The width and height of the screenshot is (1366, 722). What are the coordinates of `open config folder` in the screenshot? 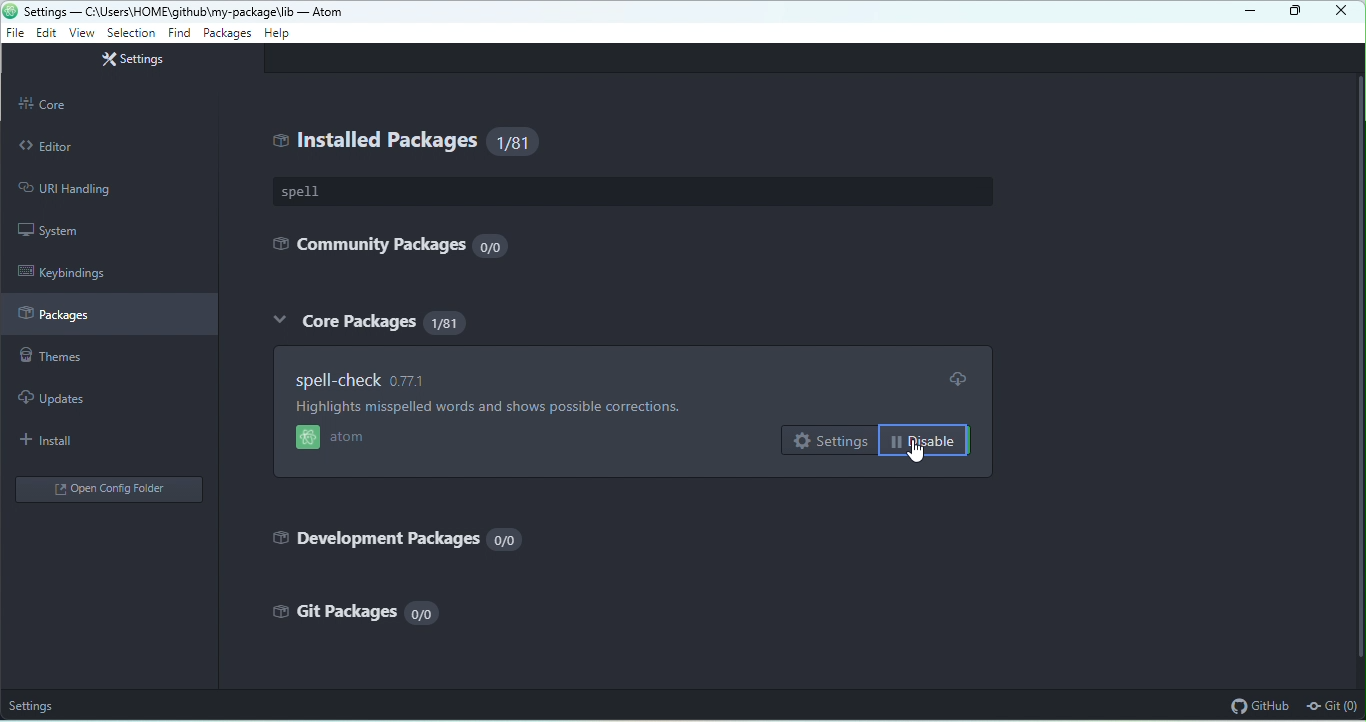 It's located at (111, 492).